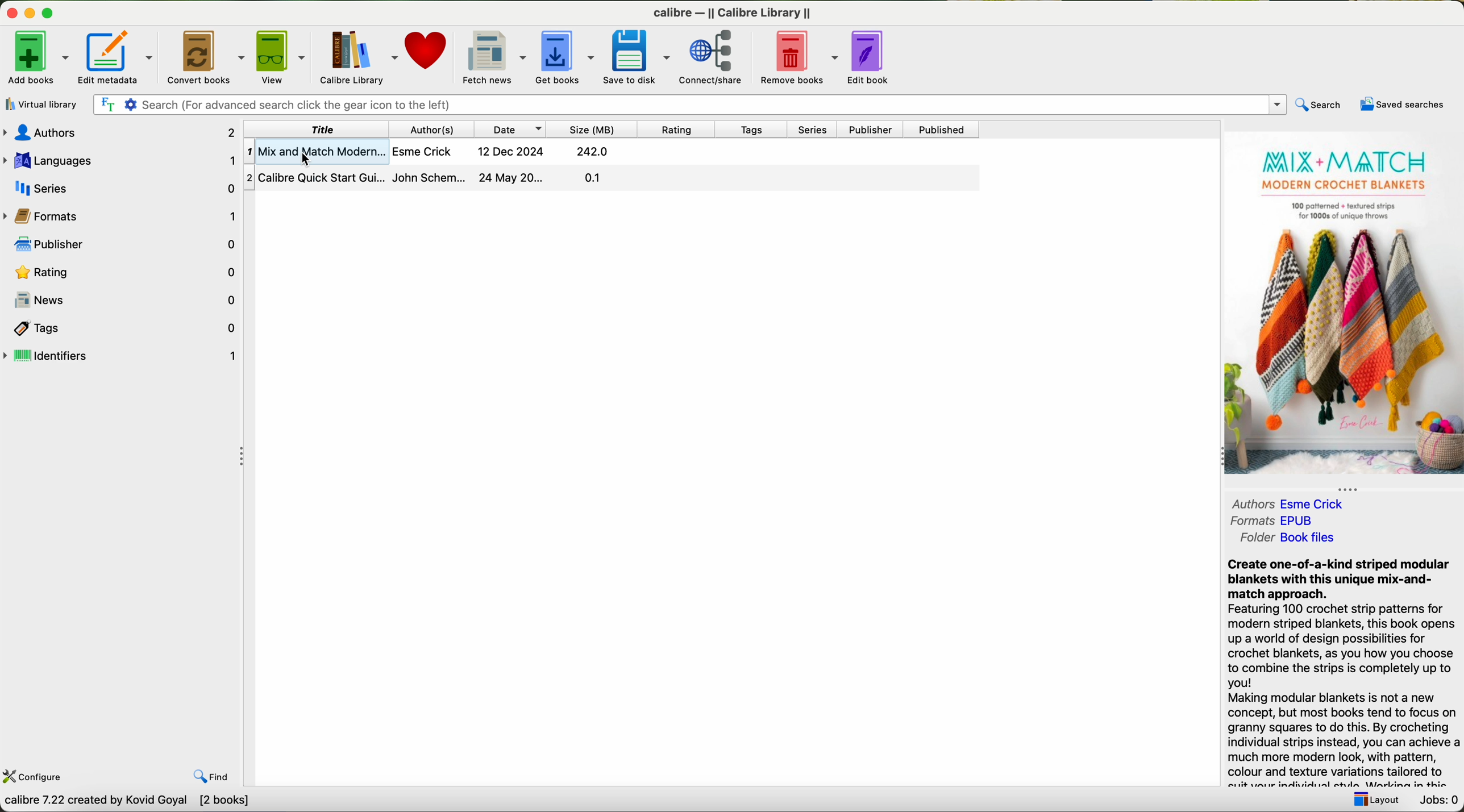 The image size is (1464, 812). Describe the element at coordinates (207, 56) in the screenshot. I see `convert books` at that location.